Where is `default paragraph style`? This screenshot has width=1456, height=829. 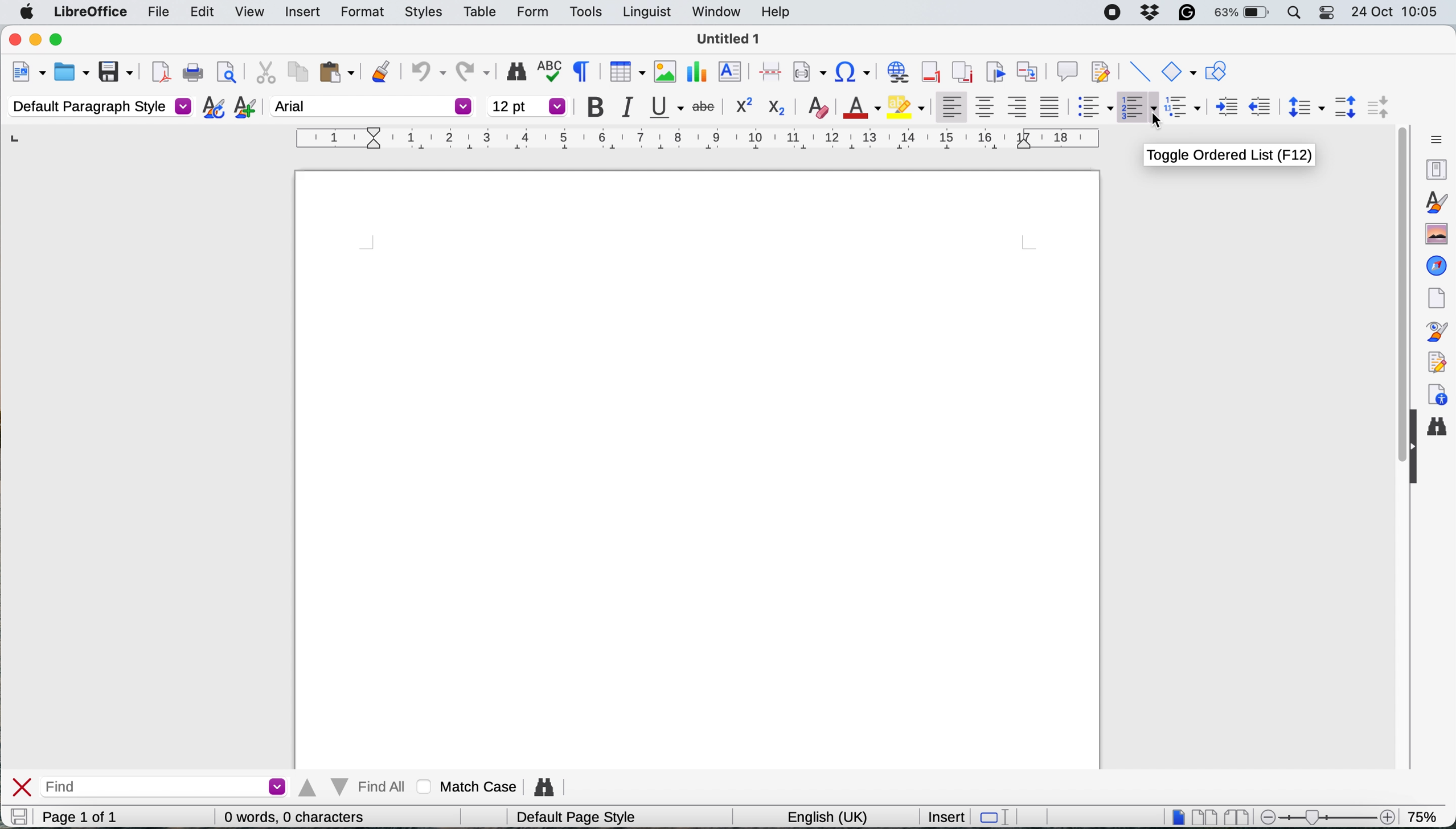
default paragraph style is located at coordinates (100, 106).